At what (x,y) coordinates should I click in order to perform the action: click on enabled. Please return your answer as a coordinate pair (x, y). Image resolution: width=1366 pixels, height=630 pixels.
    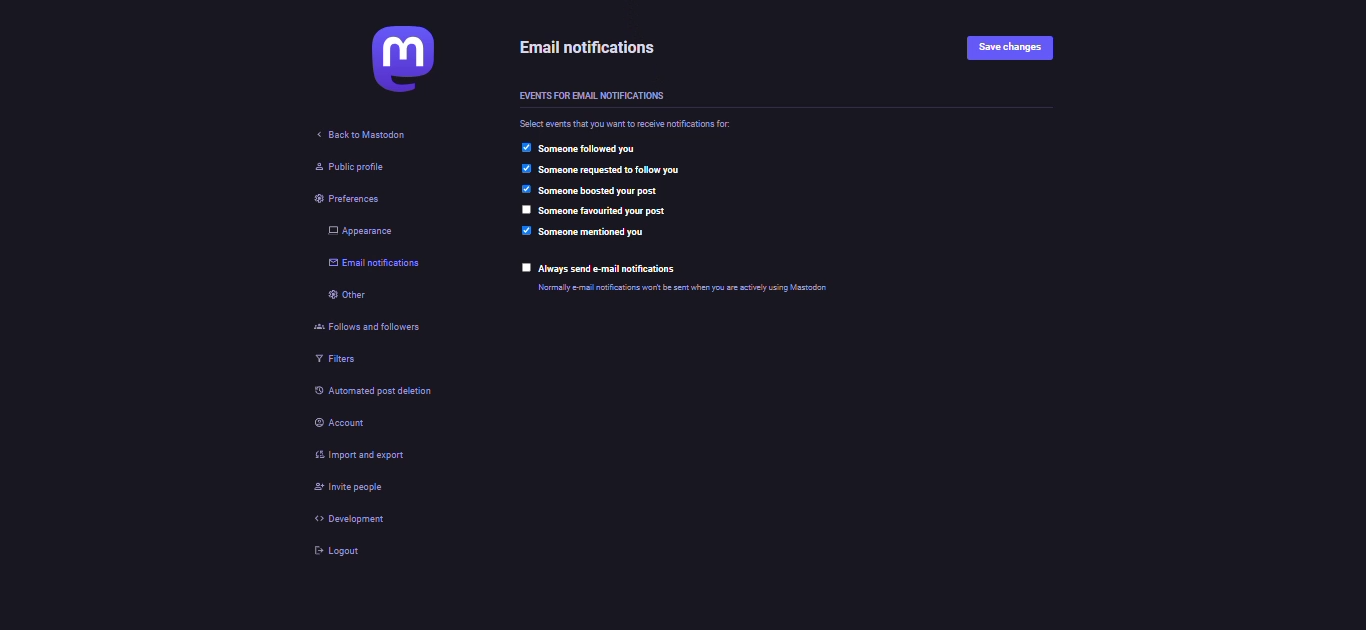
    Looking at the image, I should click on (524, 169).